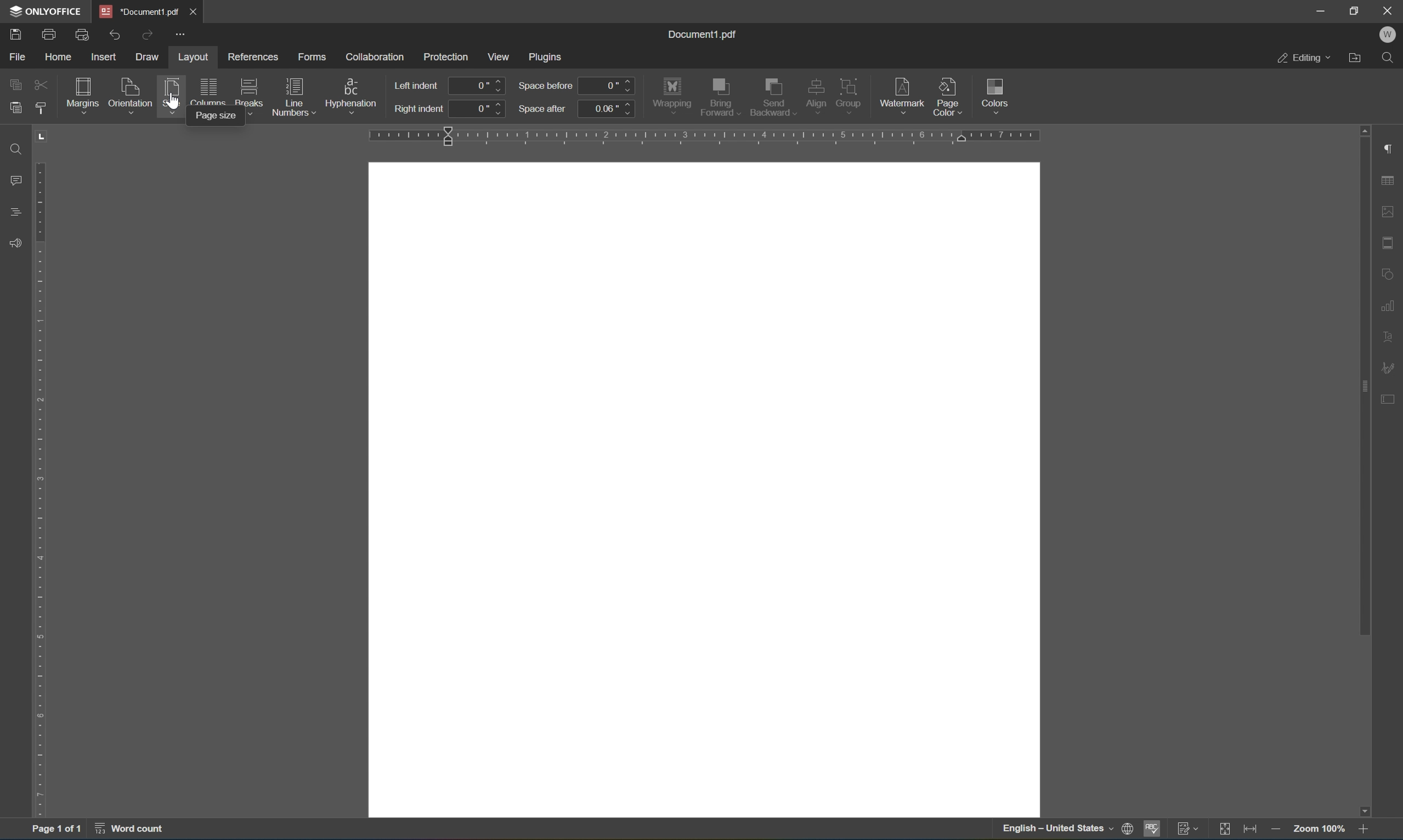  Describe the element at coordinates (131, 93) in the screenshot. I see `orientation` at that location.